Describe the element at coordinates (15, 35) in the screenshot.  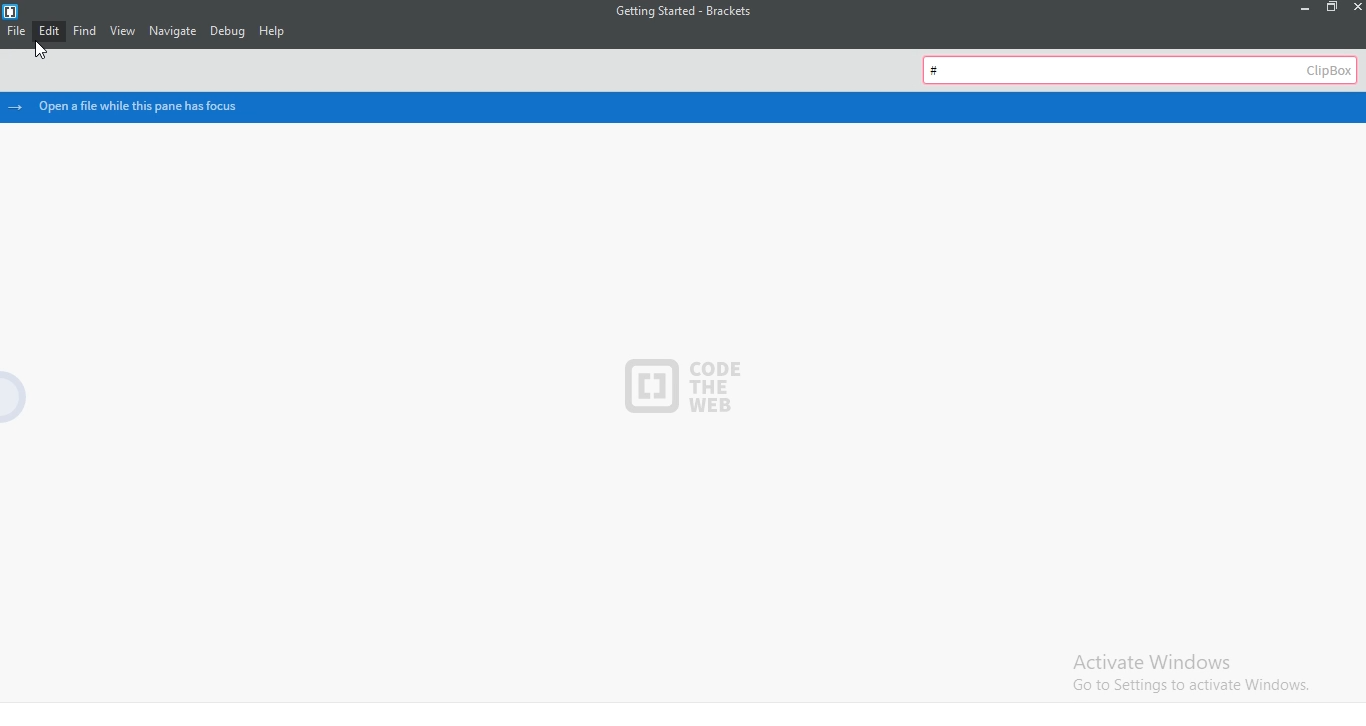
I see `File` at that location.